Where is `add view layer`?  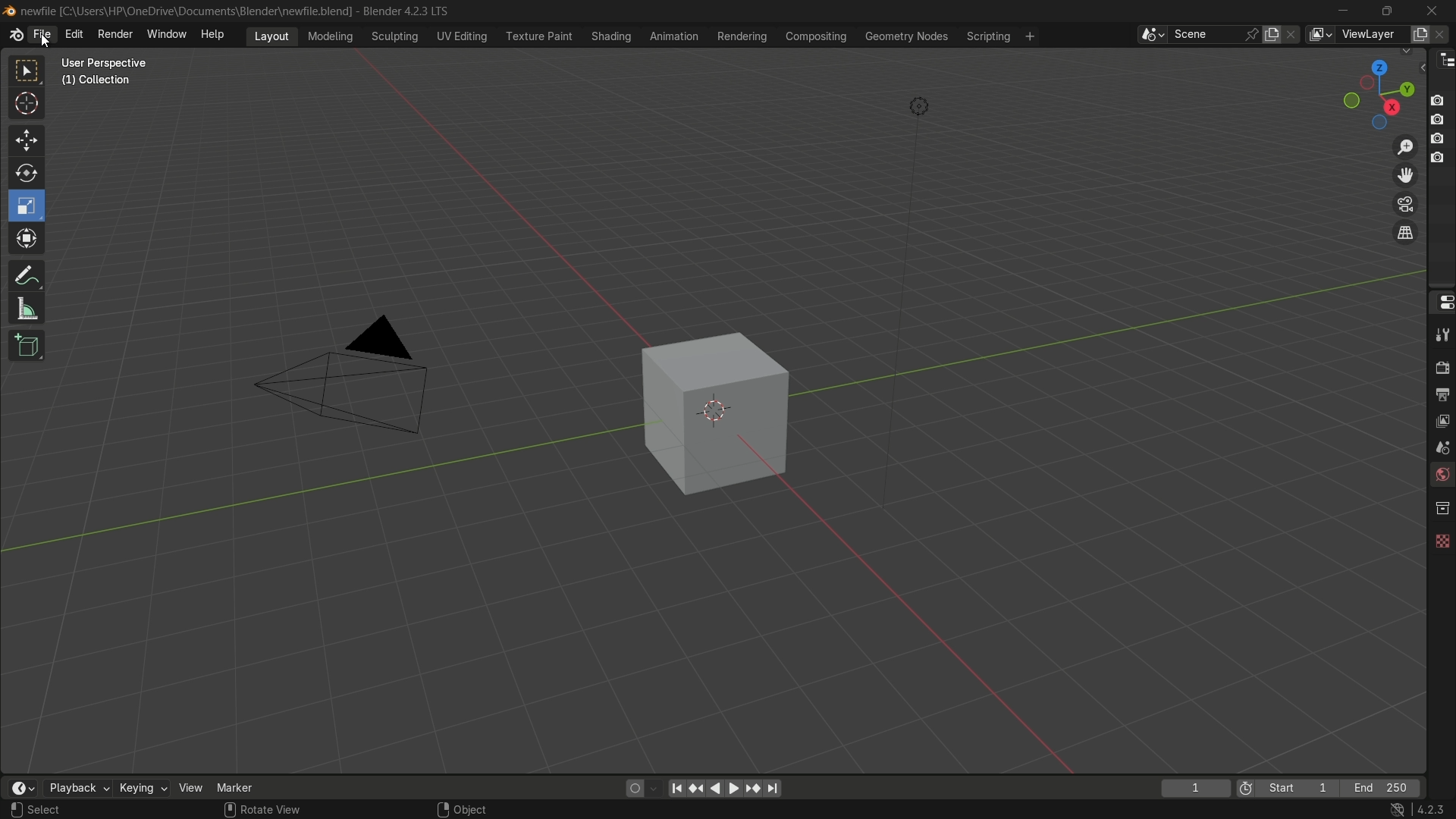
add view layer is located at coordinates (1418, 33).